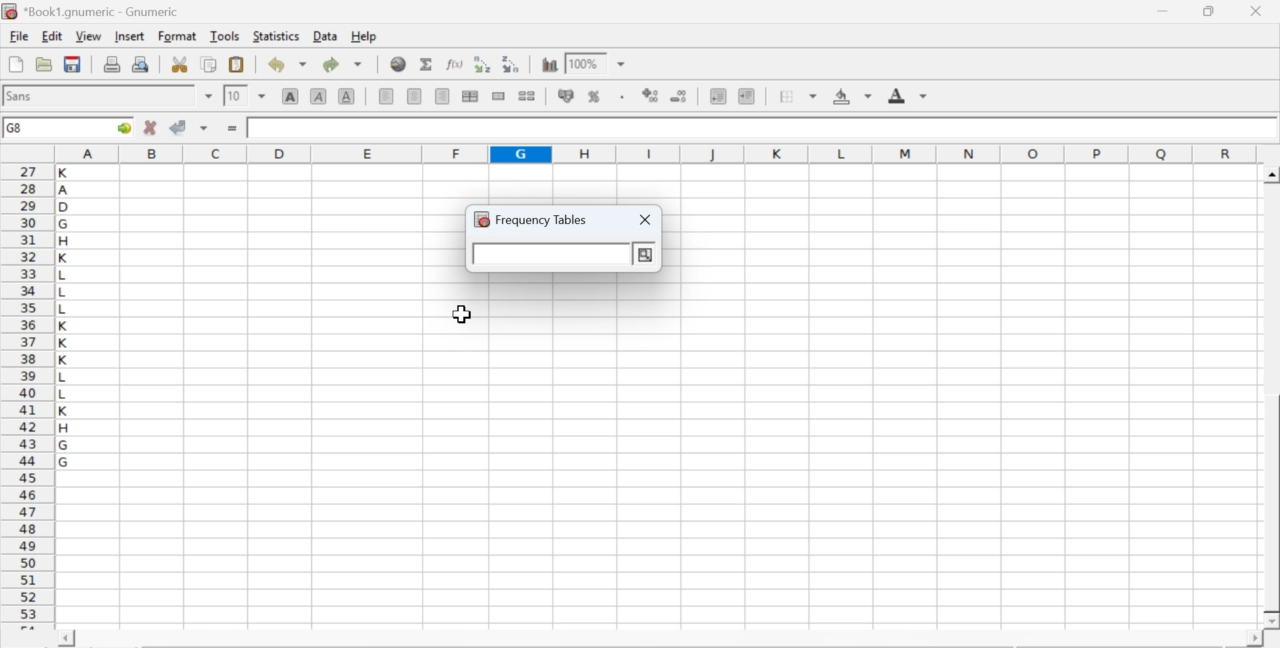 This screenshot has width=1280, height=648. Describe the element at coordinates (653, 152) in the screenshot. I see `column names` at that location.